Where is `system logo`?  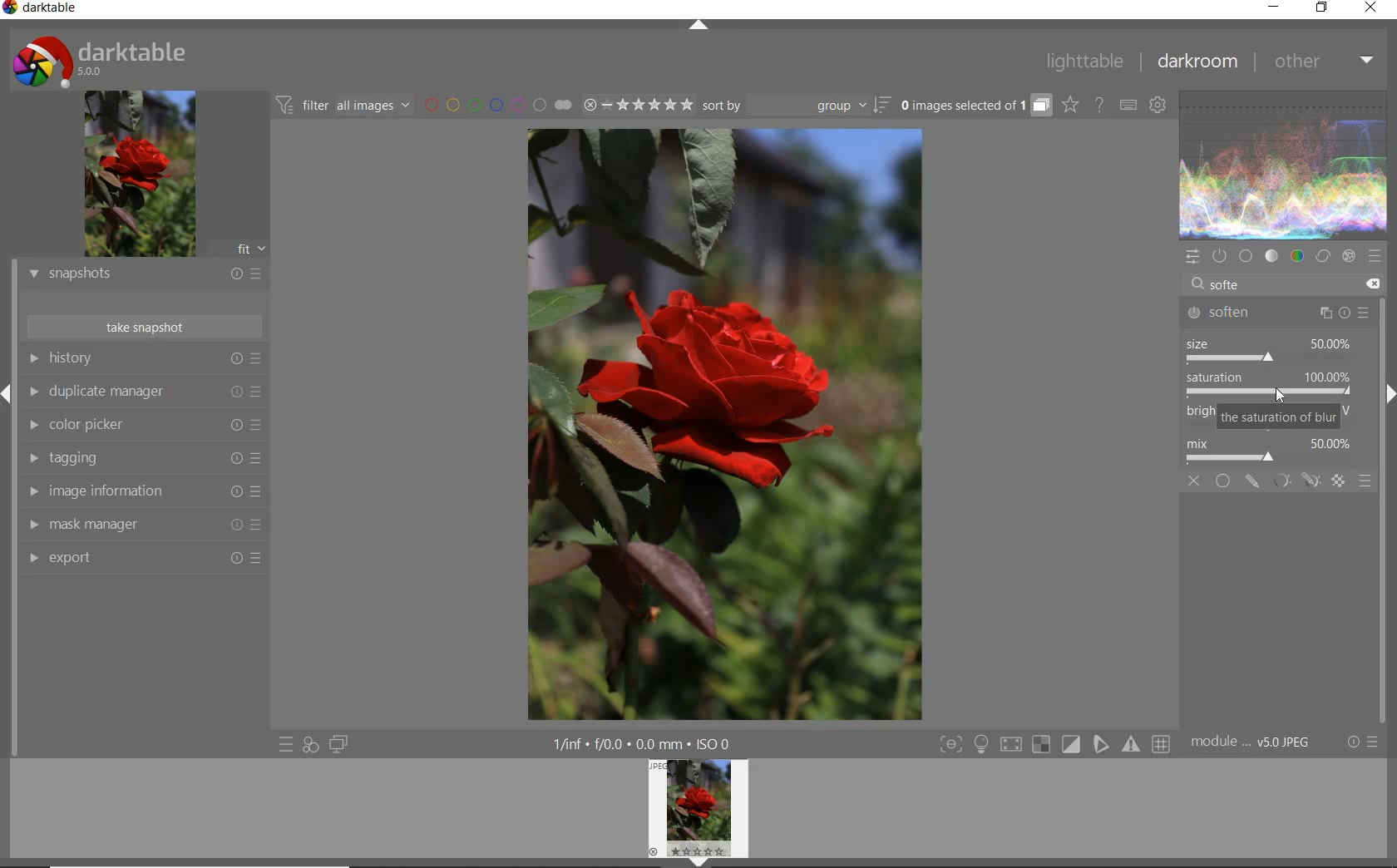
system logo is located at coordinates (102, 59).